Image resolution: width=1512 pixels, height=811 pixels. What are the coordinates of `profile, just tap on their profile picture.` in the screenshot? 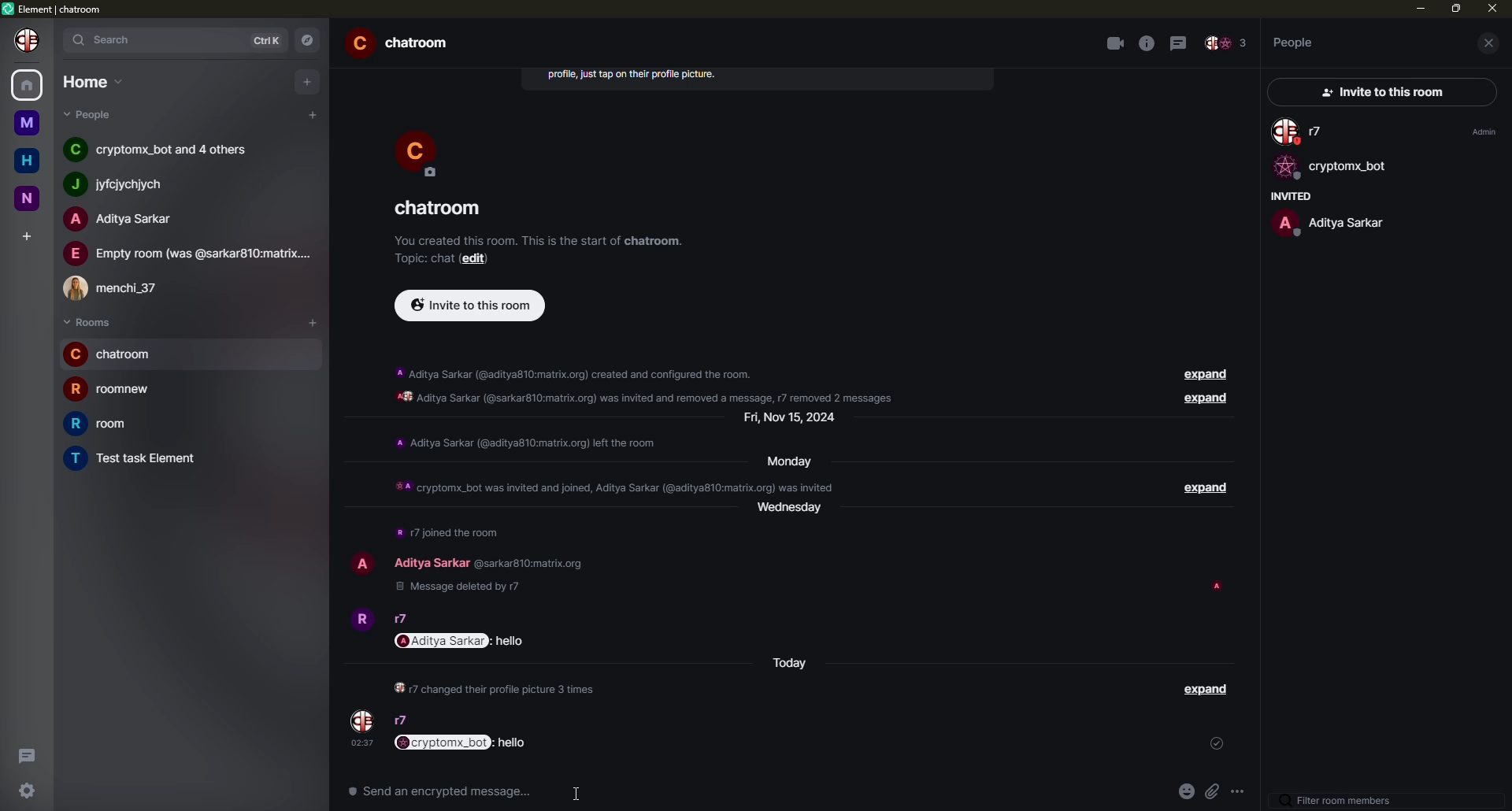 It's located at (633, 77).